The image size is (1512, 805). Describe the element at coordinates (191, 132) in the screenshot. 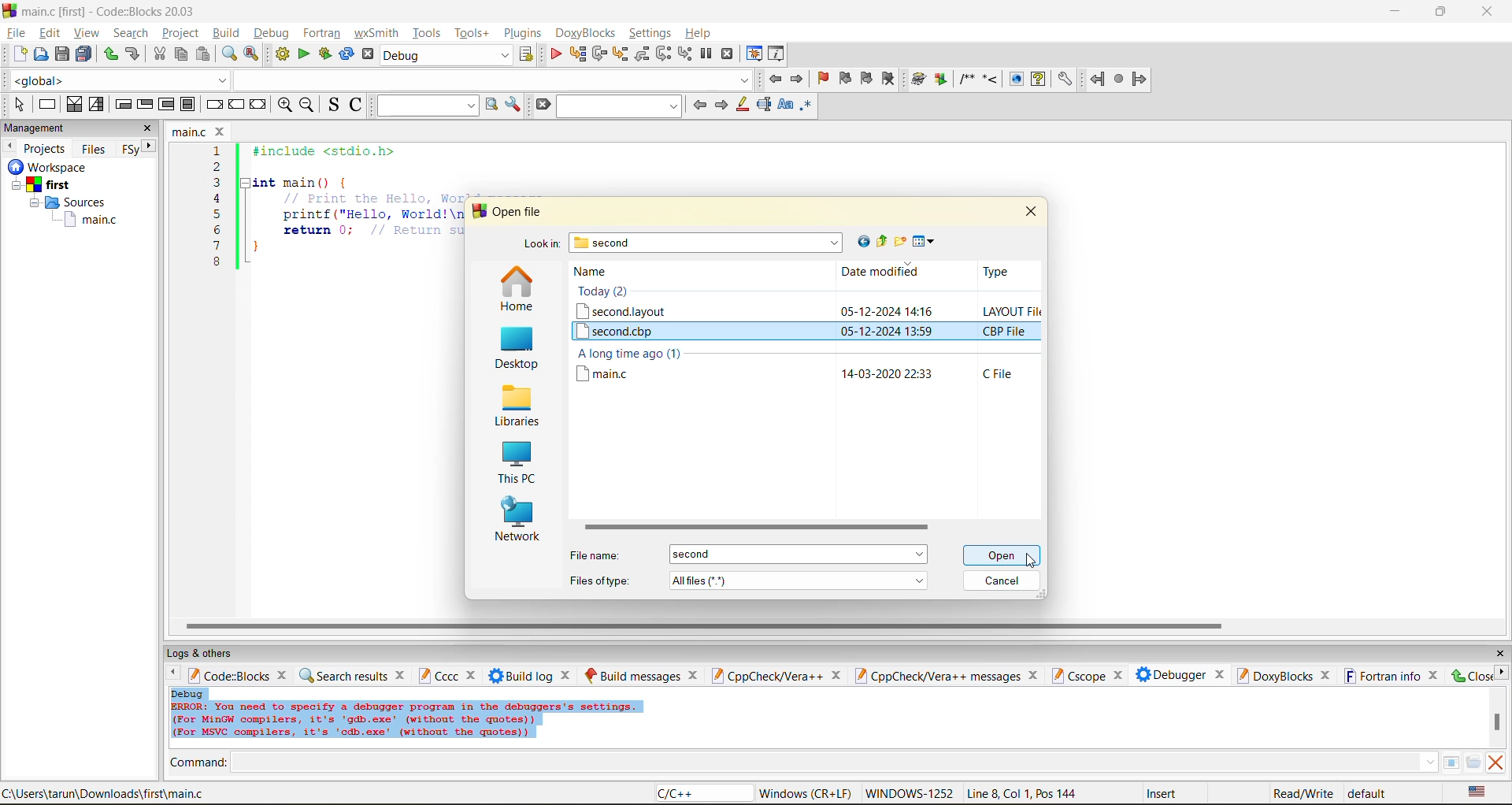

I see `file name` at that location.